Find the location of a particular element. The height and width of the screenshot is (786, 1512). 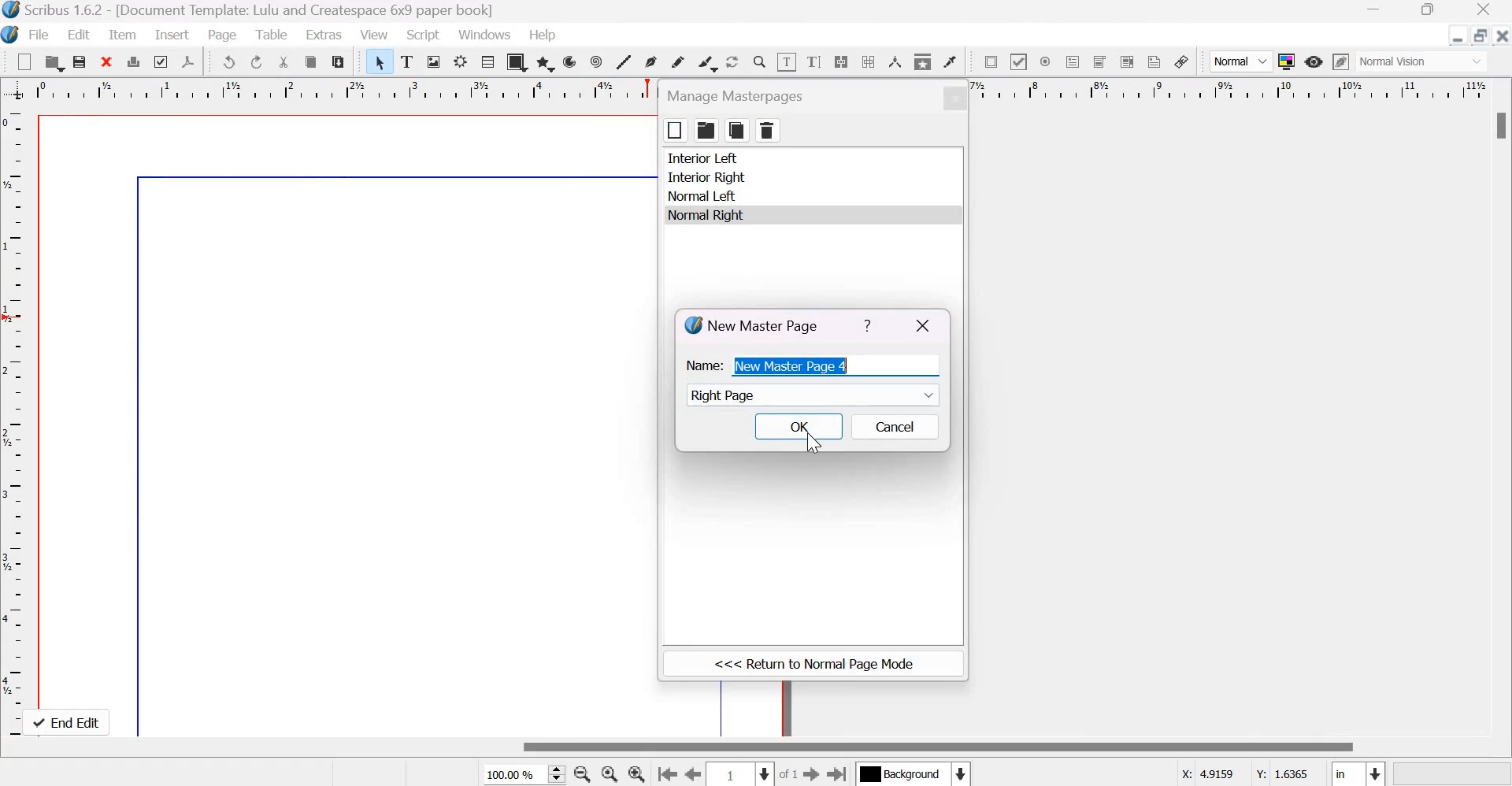

PDF list box is located at coordinates (1128, 61).